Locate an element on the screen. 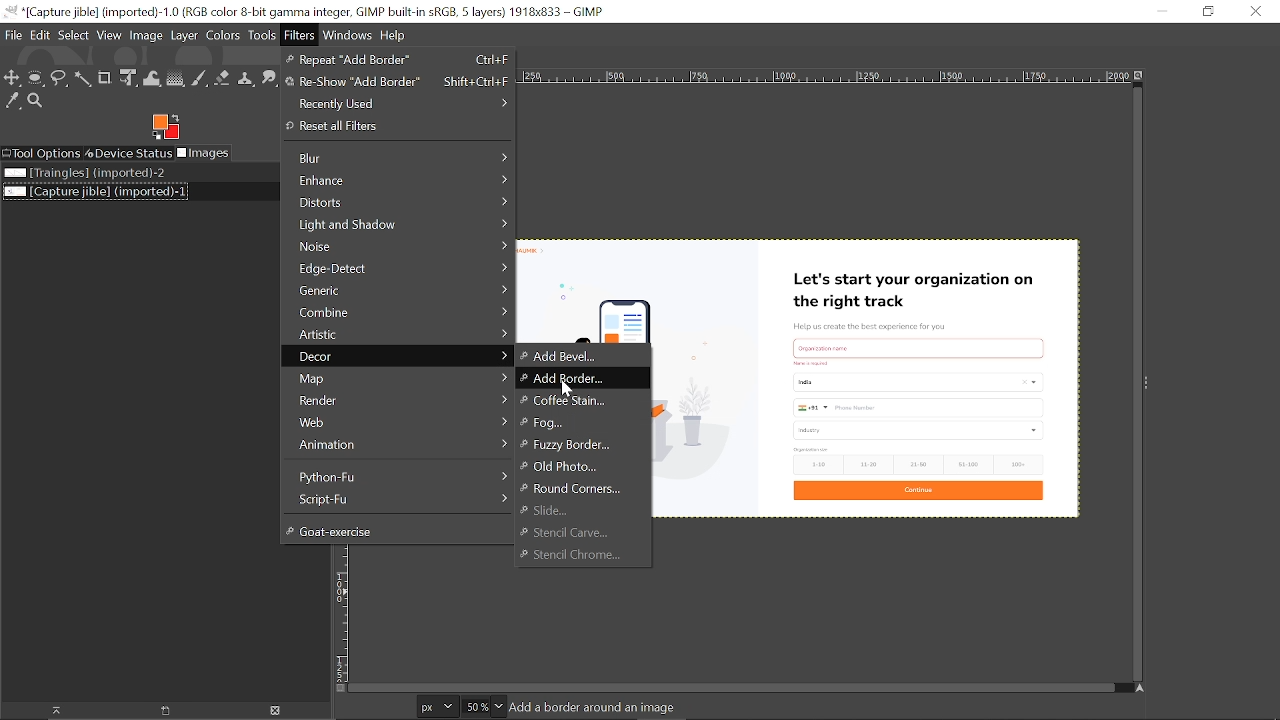 This screenshot has height=720, width=1280. Close is located at coordinates (1257, 11).